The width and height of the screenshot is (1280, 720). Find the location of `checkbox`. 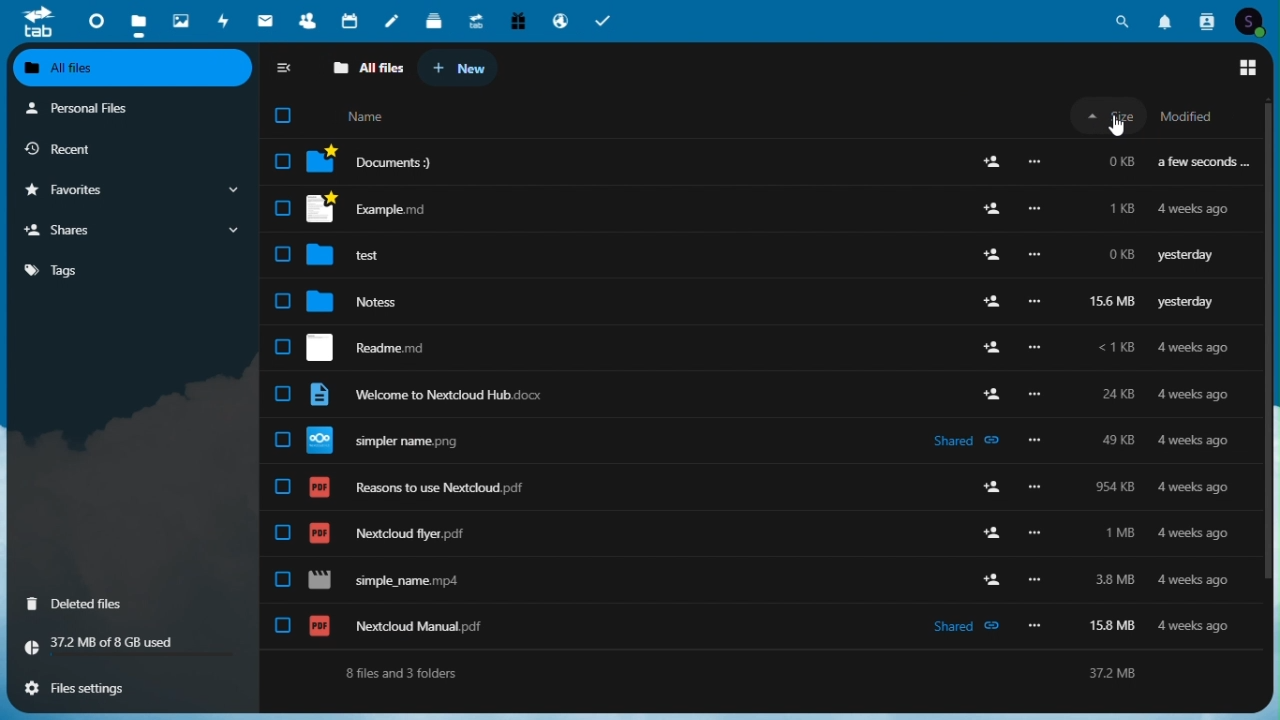

checkbox is located at coordinates (286, 116).